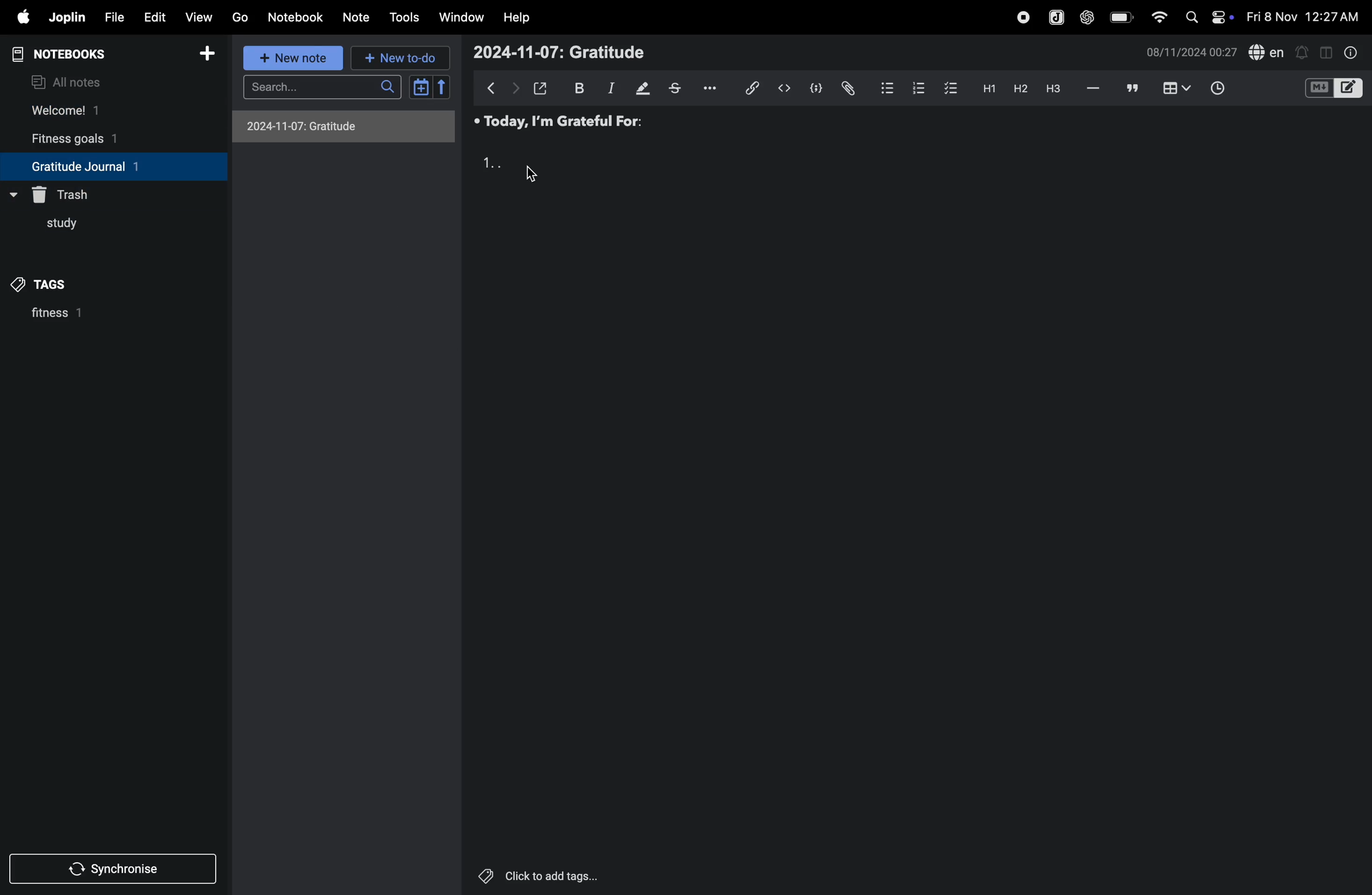 Image resolution: width=1372 pixels, height=895 pixels. What do you see at coordinates (531, 172) in the screenshot?
I see `cursor` at bounding box center [531, 172].